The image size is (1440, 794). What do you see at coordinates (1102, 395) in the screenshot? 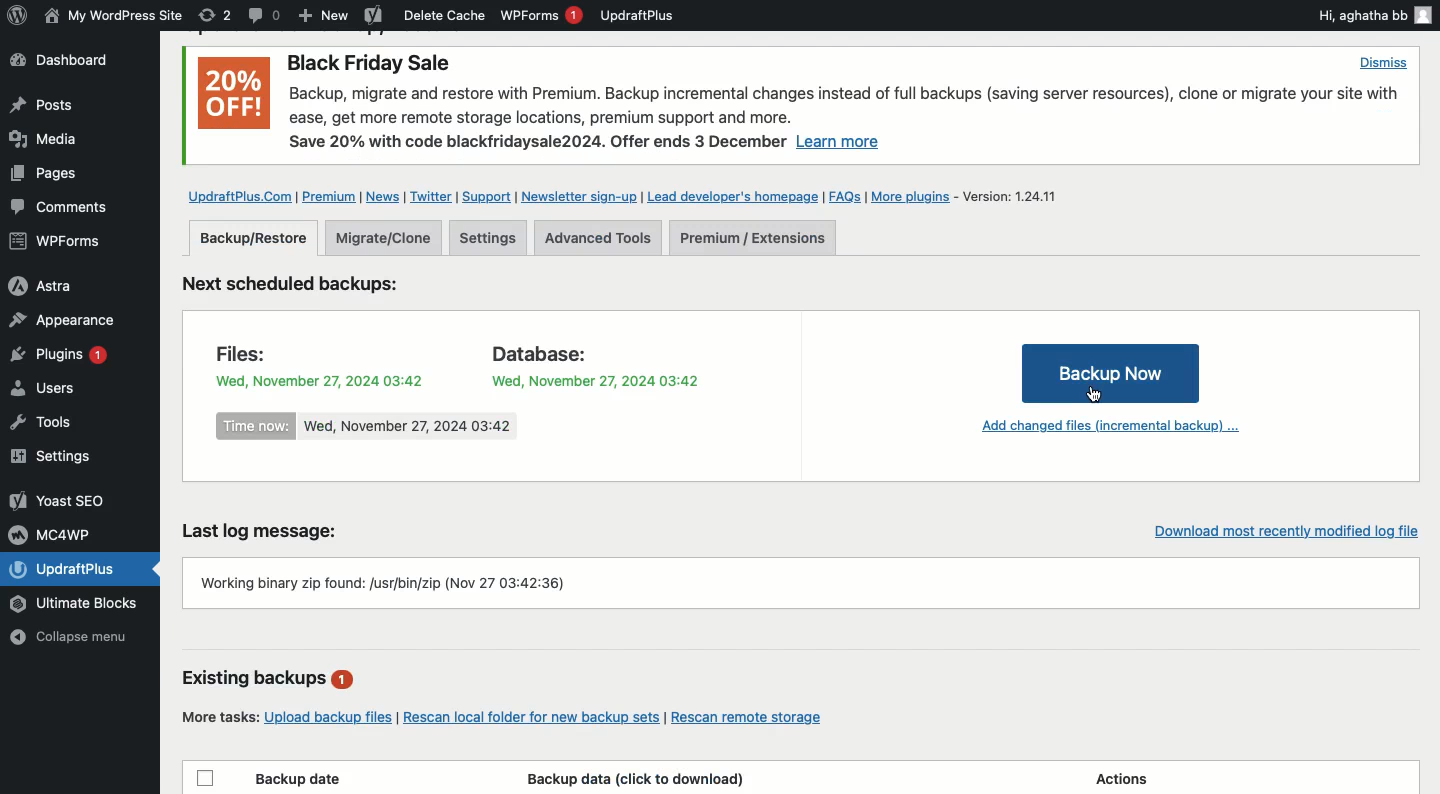
I see `Cursor` at bounding box center [1102, 395].